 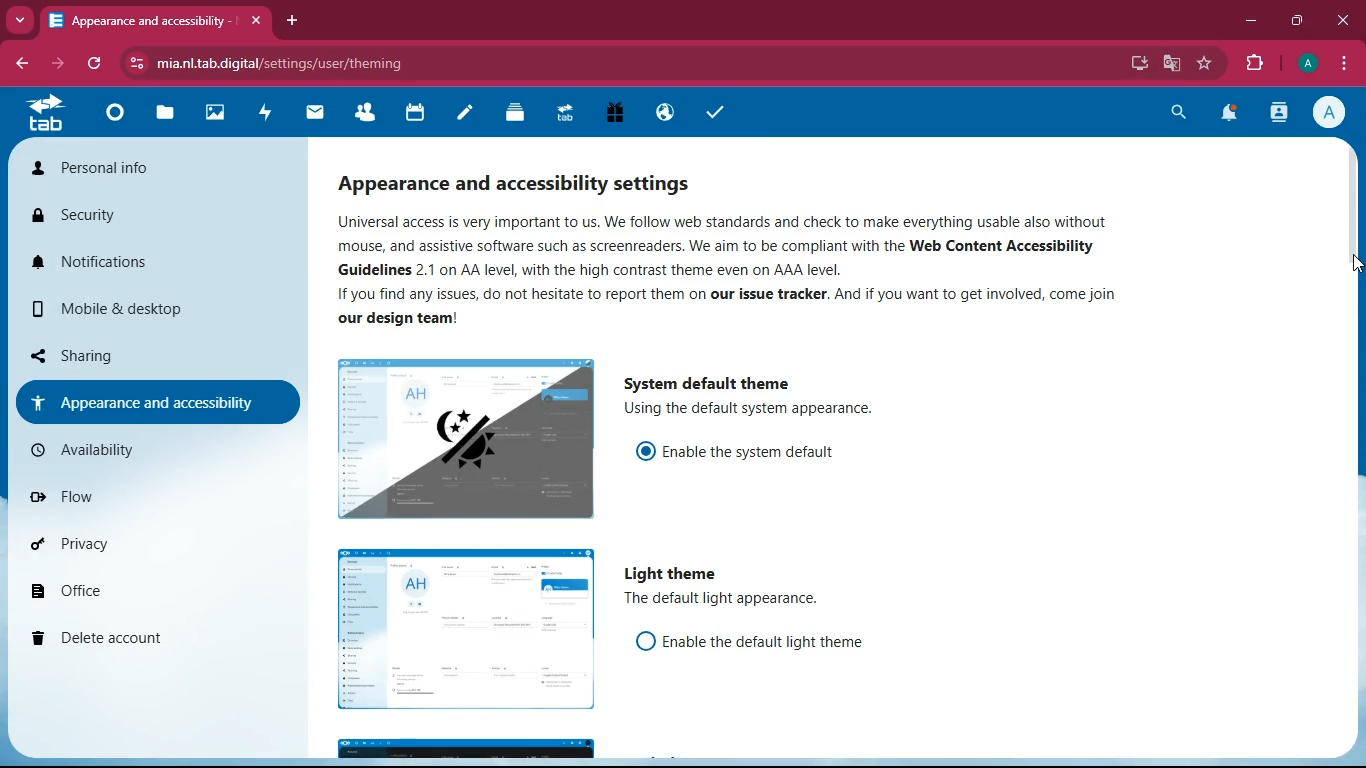 What do you see at coordinates (768, 641) in the screenshot?
I see `enable` at bounding box center [768, 641].